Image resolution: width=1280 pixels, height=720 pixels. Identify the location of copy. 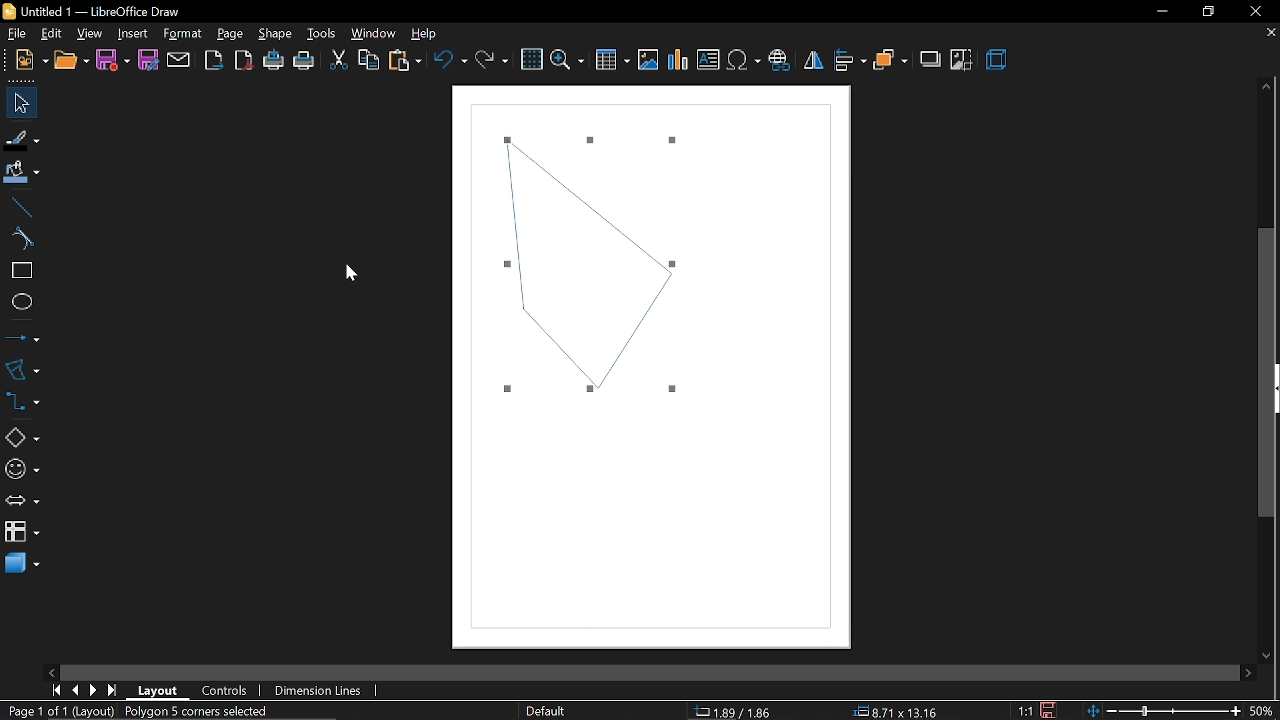
(366, 60).